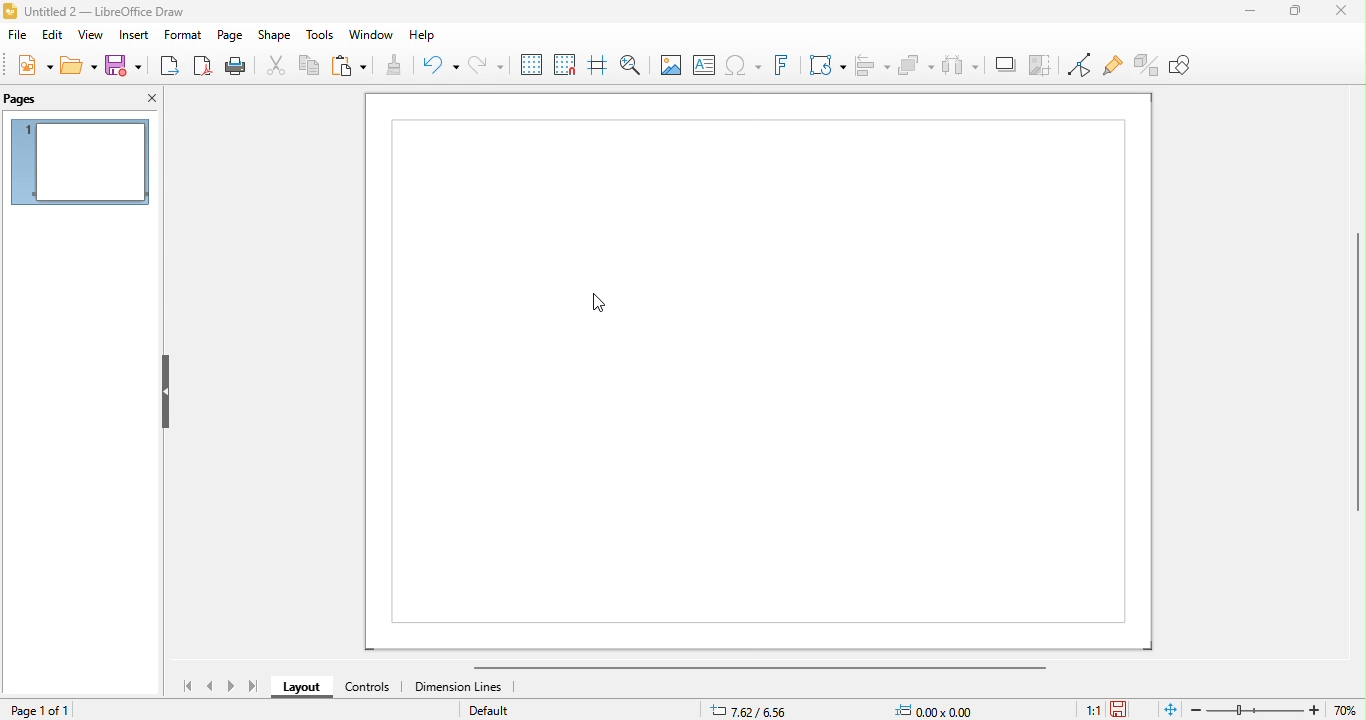 The height and width of the screenshot is (720, 1366). Describe the element at coordinates (1278, 709) in the screenshot. I see `zoom` at that location.